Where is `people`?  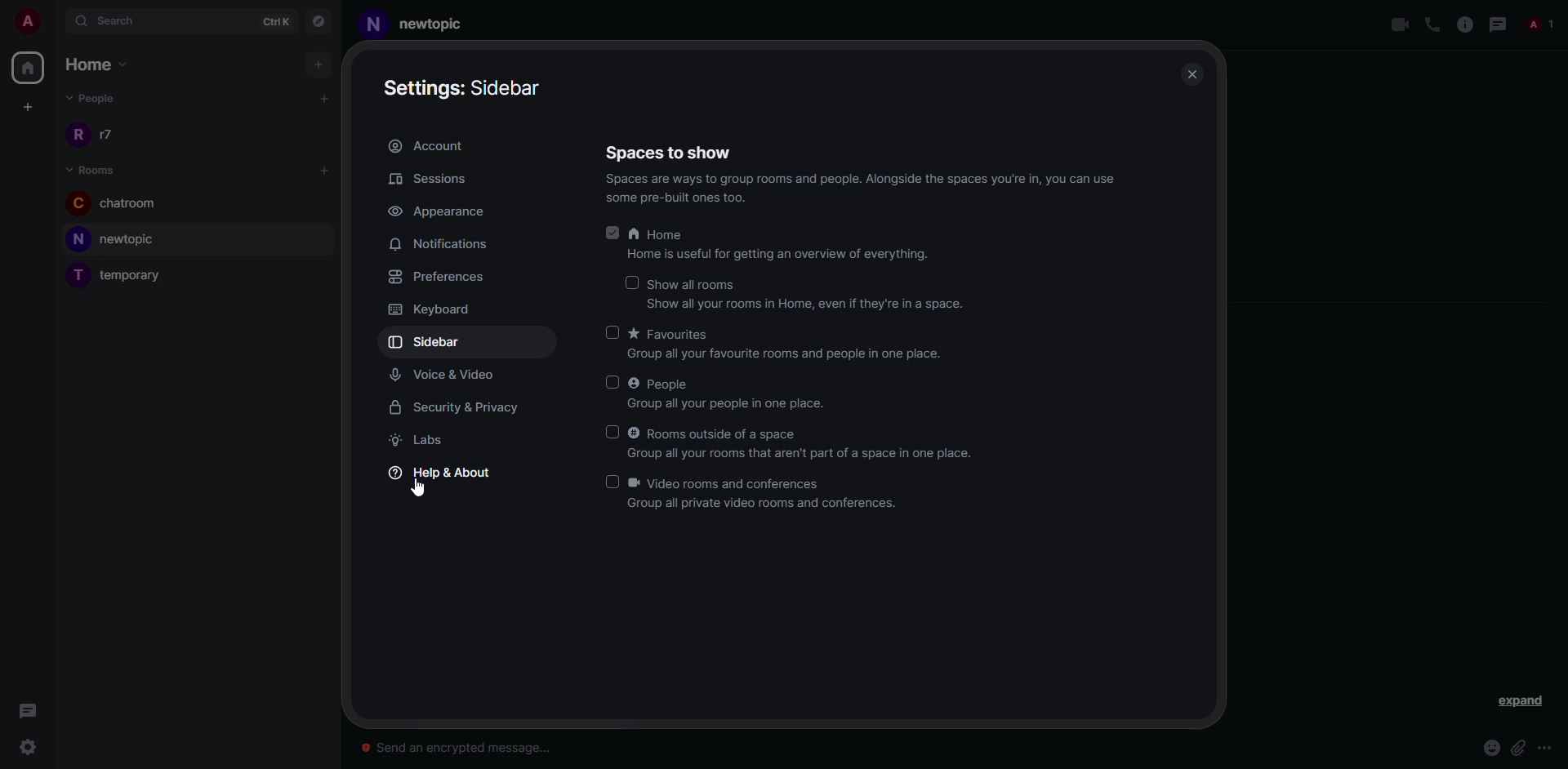
people is located at coordinates (95, 97).